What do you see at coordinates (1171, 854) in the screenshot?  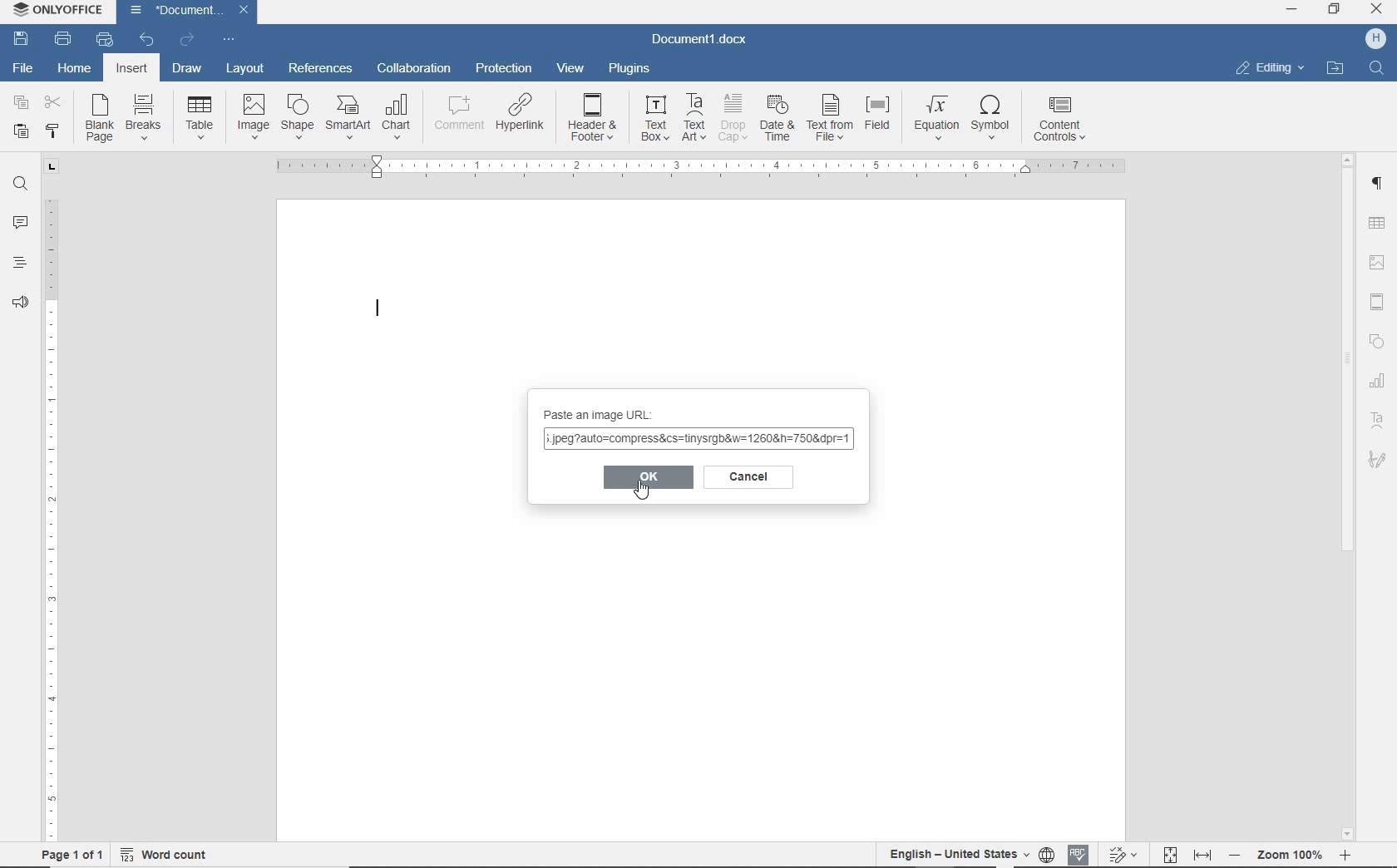 I see `fit to page` at bounding box center [1171, 854].